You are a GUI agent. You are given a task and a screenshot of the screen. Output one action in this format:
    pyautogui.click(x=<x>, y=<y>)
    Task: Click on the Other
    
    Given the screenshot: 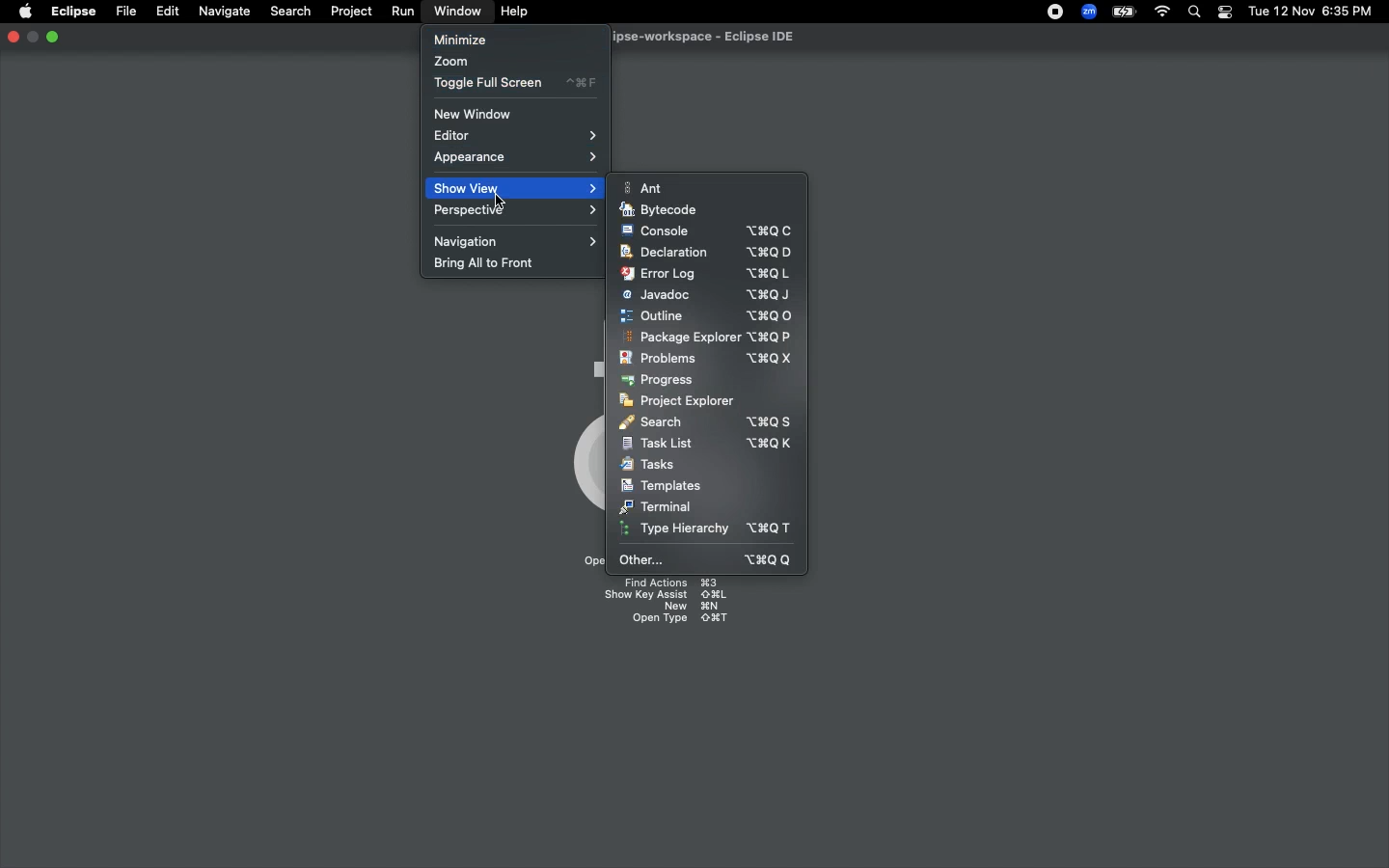 What is the action you would take?
    pyautogui.click(x=708, y=559)
    